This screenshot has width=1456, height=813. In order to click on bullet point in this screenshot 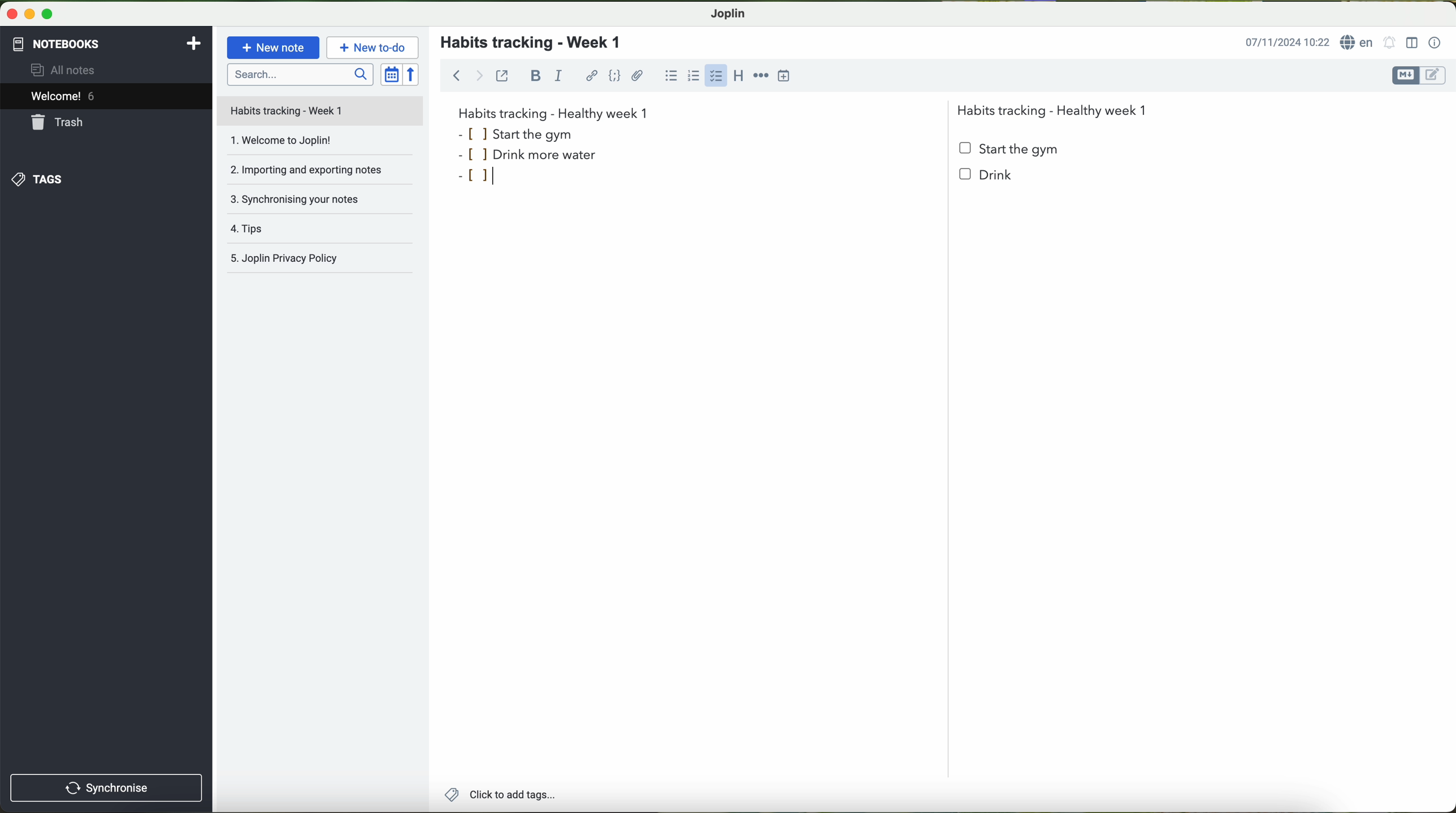, I will do `click(482, 177)`.